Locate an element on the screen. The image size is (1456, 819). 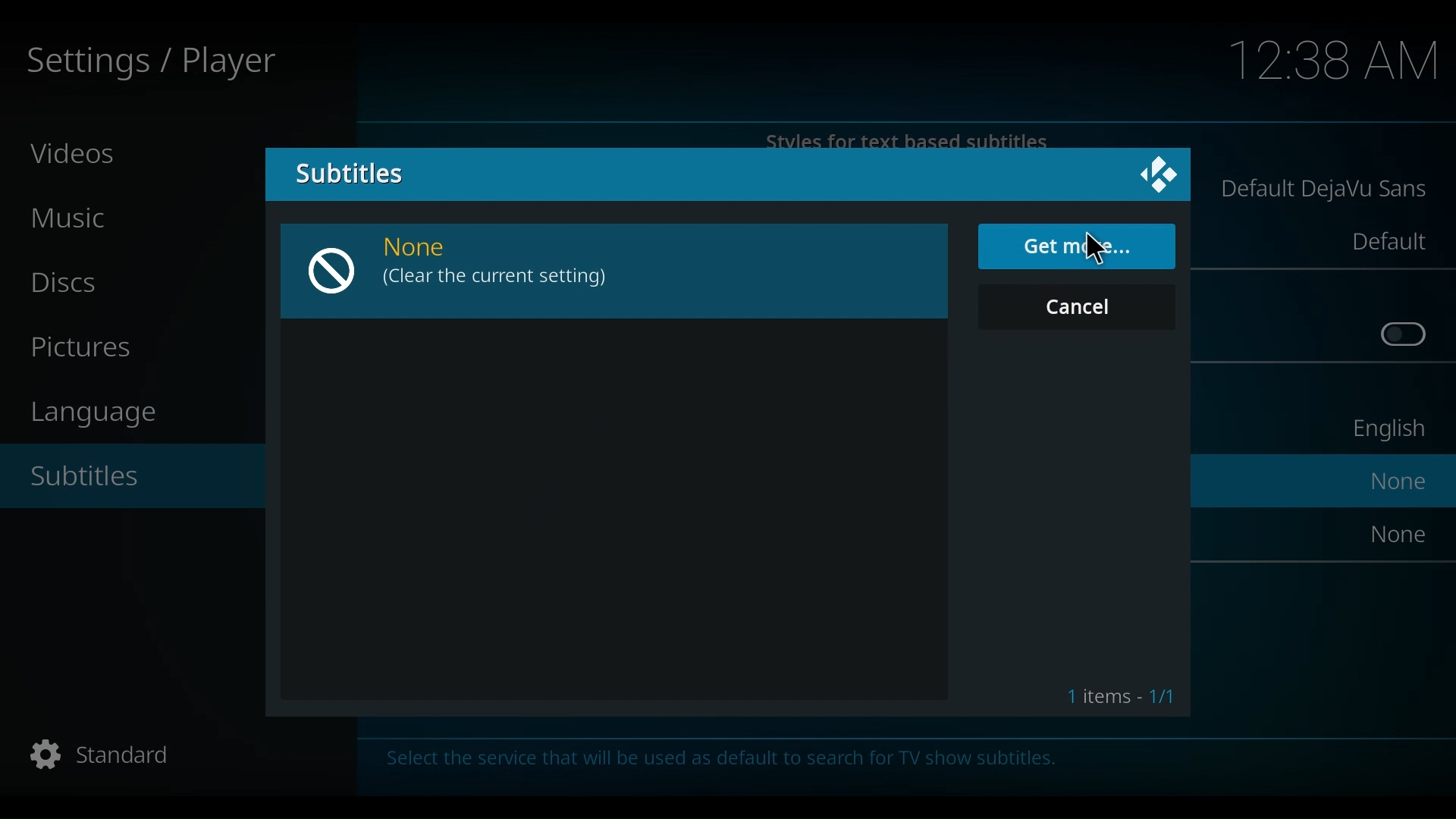
Standard is located at coordinates (97, 757).